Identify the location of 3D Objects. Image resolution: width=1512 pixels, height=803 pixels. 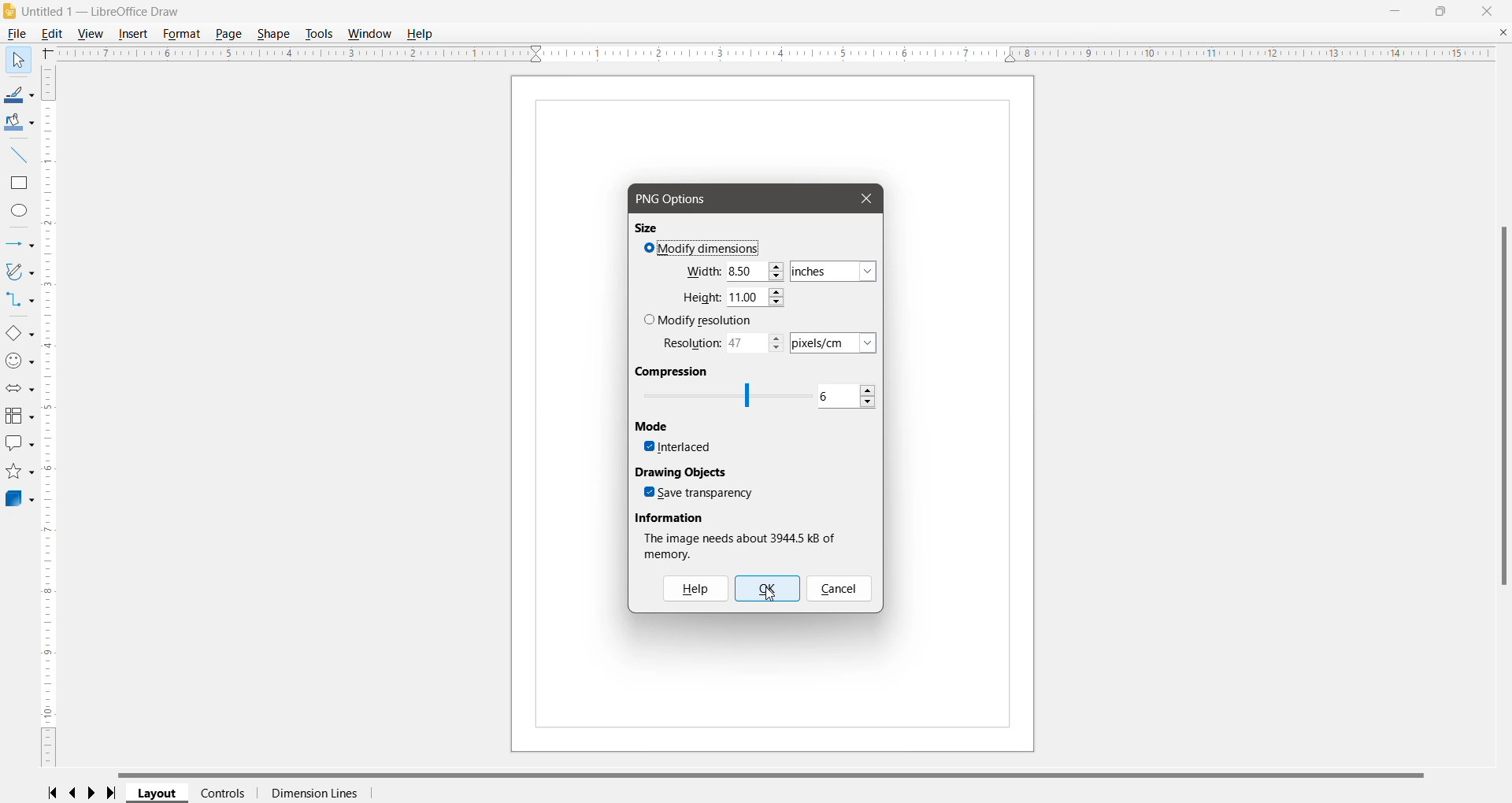
(19, 500).